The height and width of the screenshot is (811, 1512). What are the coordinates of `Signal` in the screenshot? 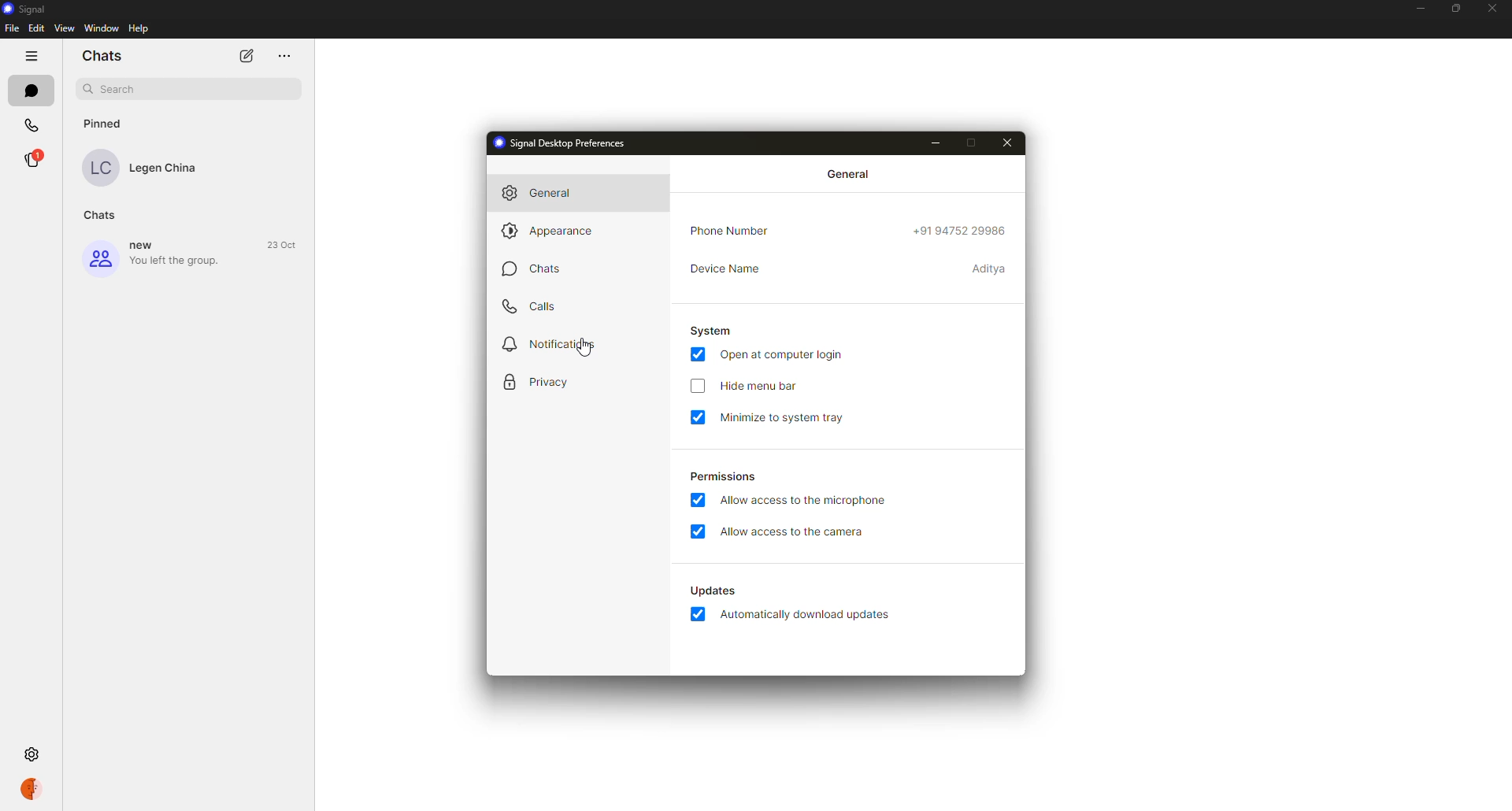 It's located at (27, 9).